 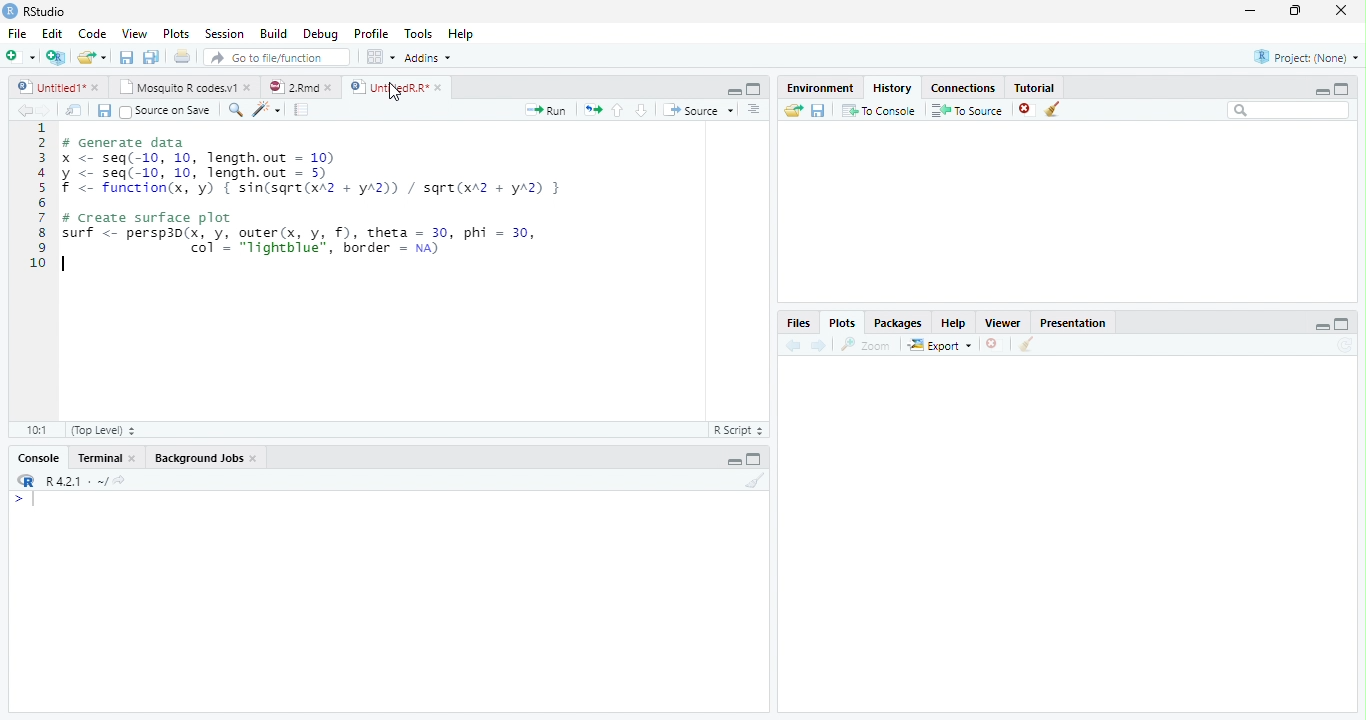 What do you see at coordinates (45, 111) in the screenshot?
I see `Go forward to next source location` at bounding box center [45, 111].